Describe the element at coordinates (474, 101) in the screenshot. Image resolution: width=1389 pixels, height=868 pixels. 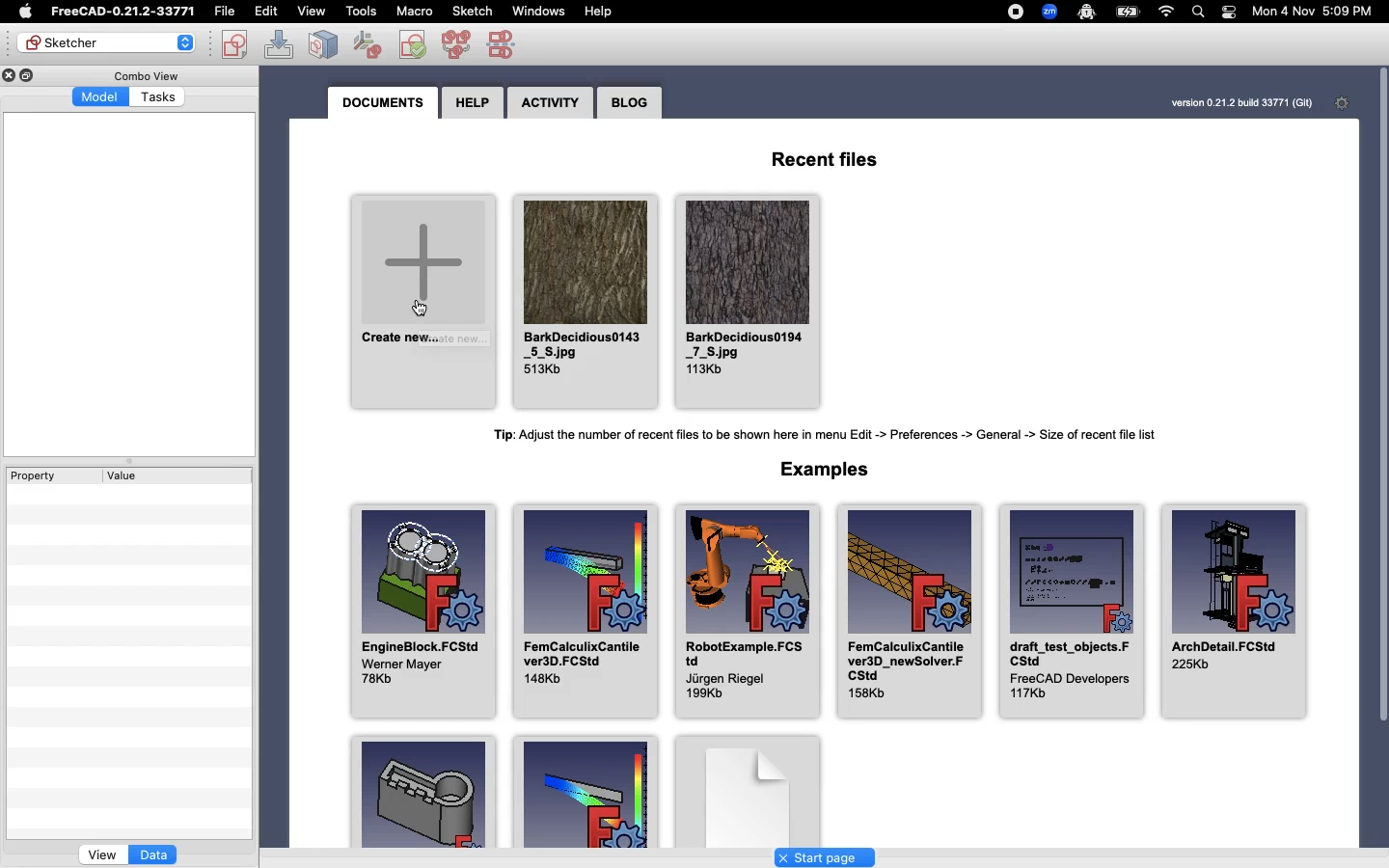
I see `Help` at that location.